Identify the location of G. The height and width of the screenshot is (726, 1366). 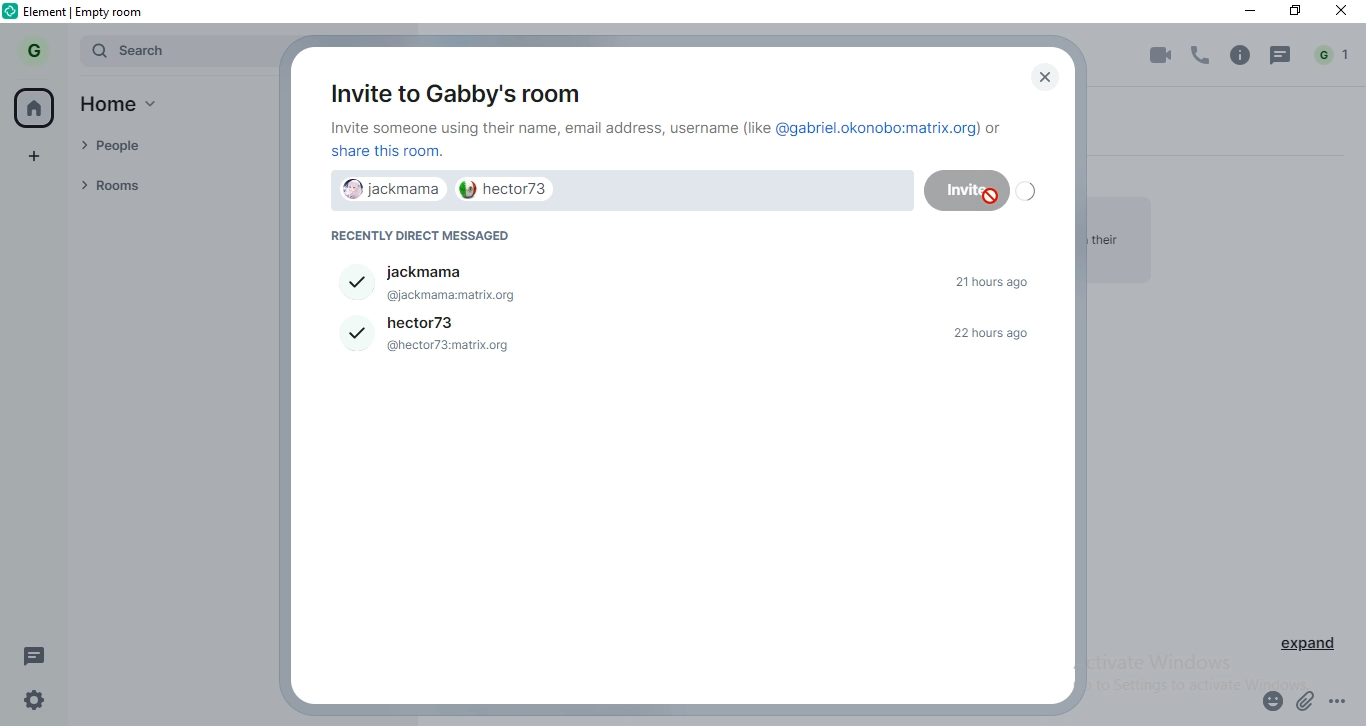
(37, 50).